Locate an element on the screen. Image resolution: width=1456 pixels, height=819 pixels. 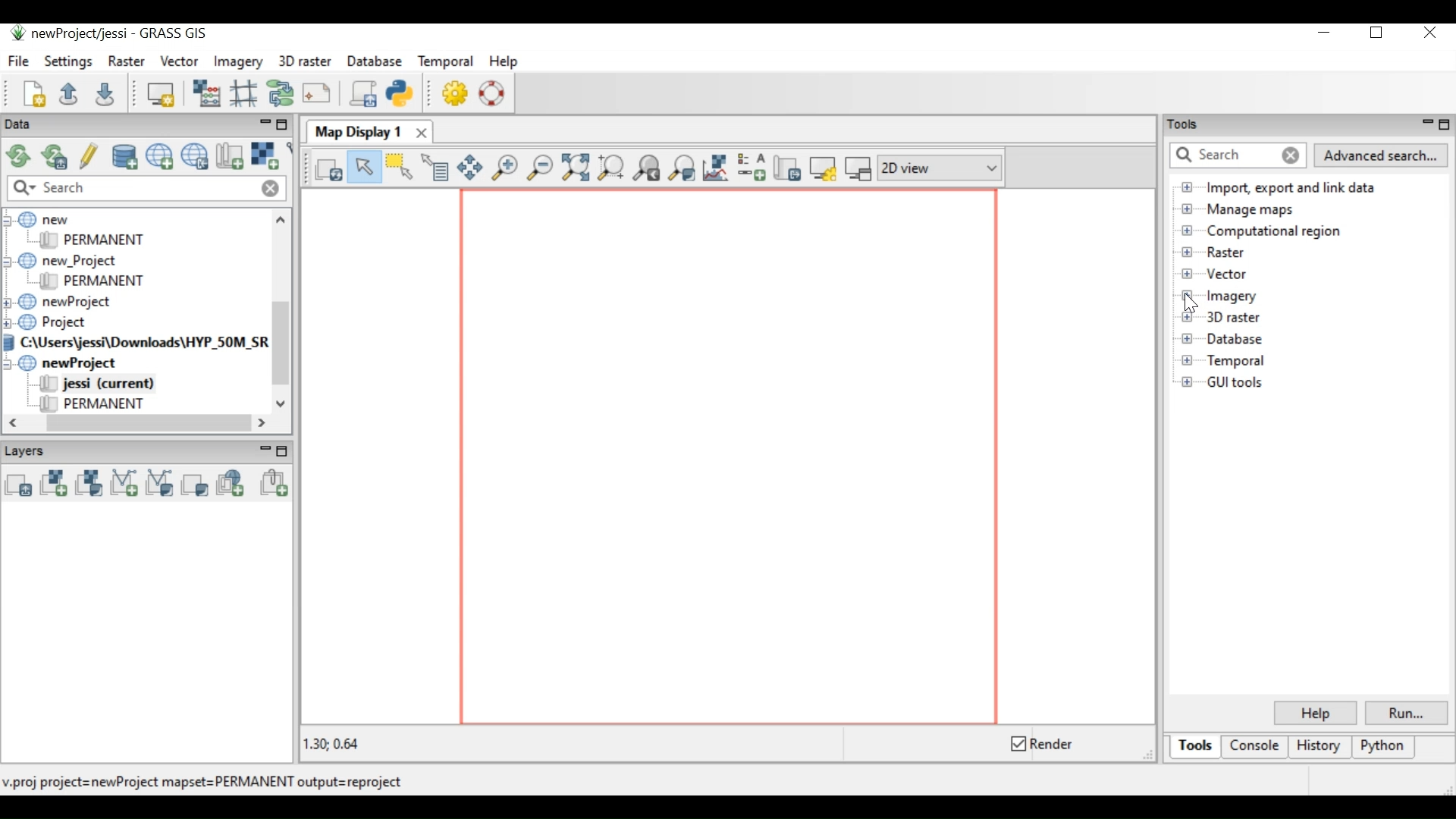
1.30: 0.64 is located at coordinates (333, 742).